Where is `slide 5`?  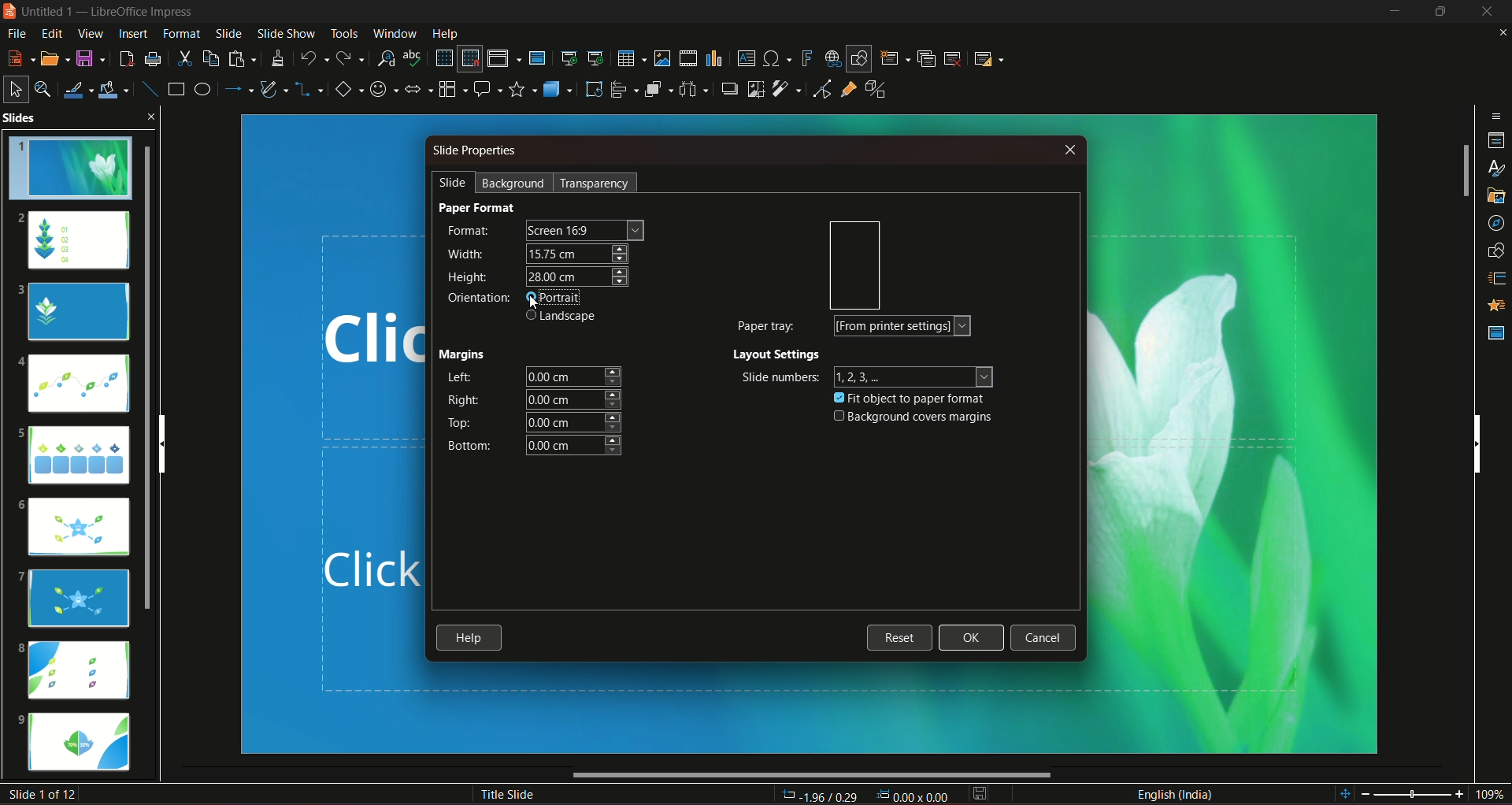 slide 5 is located at coordinates (73, 453).